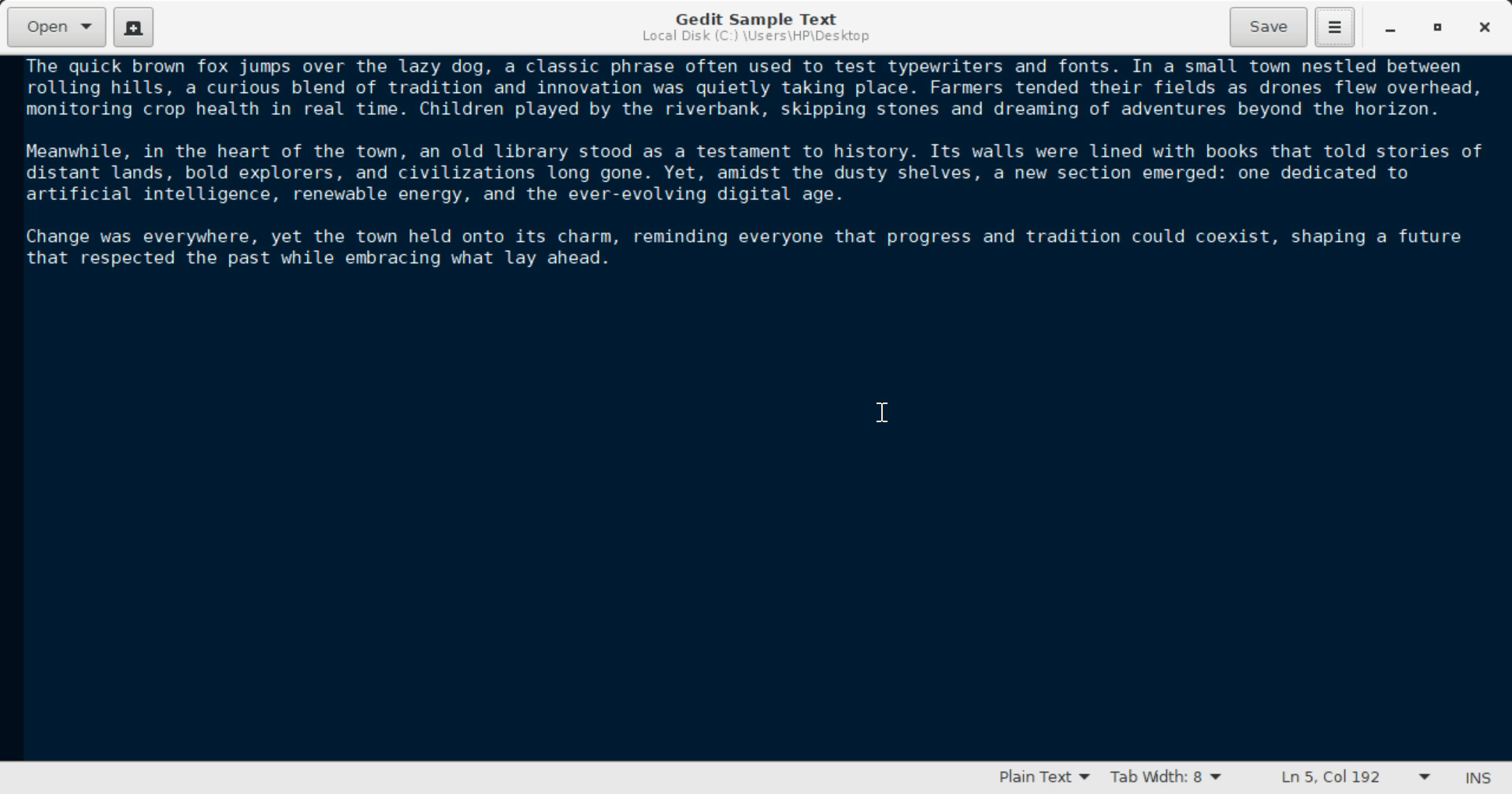 This screenshot has height=794, width=1512. Describe the element at coordinates (756, 410) in the screenshot. I see `Changed Color Scheme ` at that location.